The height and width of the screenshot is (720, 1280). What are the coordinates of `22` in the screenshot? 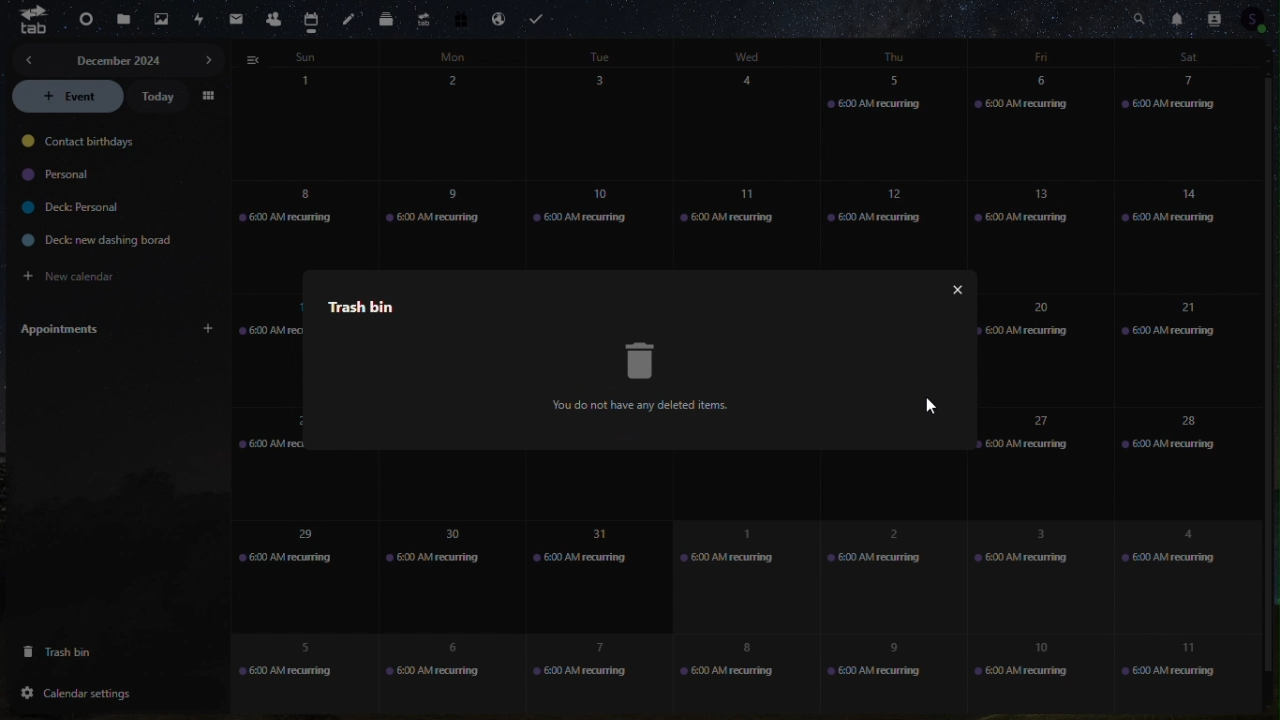 It's located at (290, 463).